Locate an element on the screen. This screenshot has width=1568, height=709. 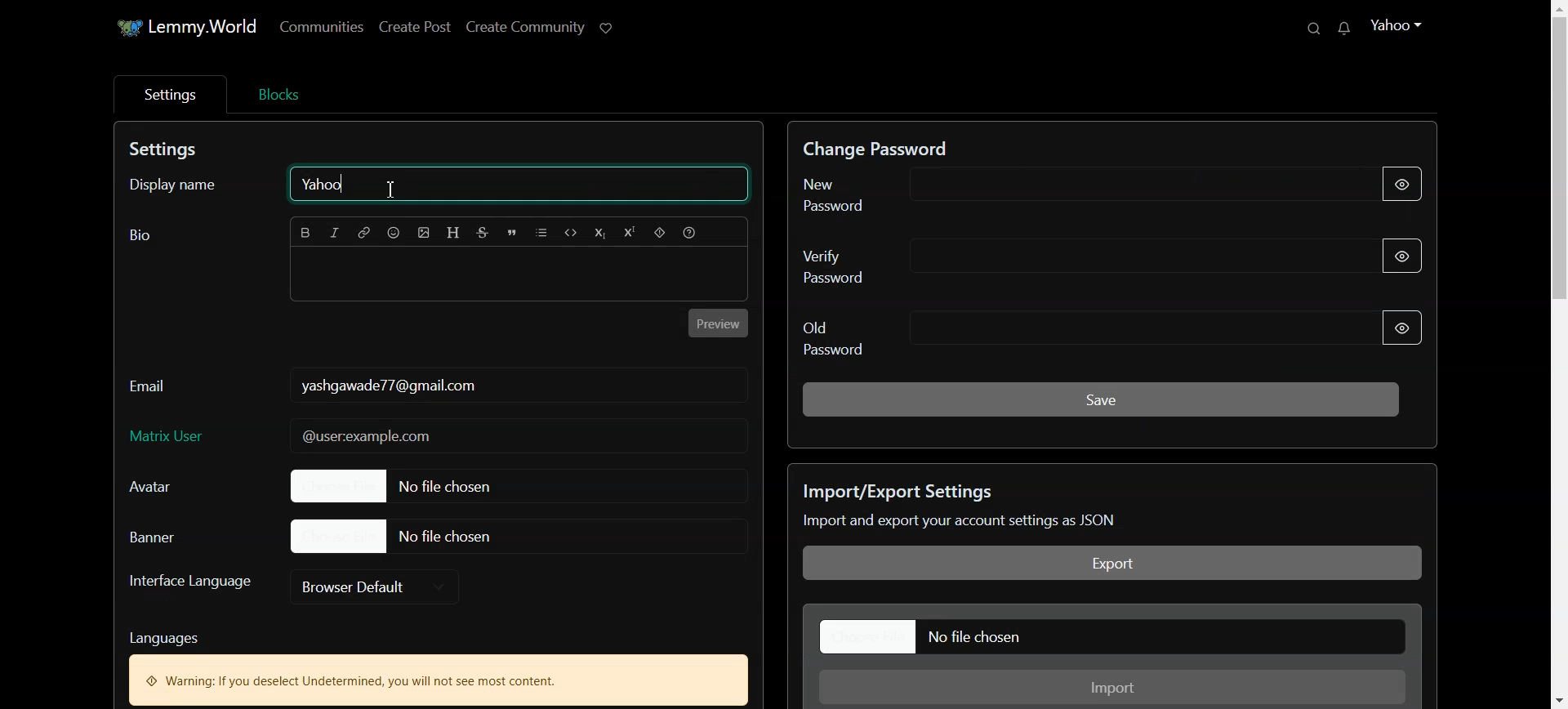
File chosen is located at coordinates (1115, 636).